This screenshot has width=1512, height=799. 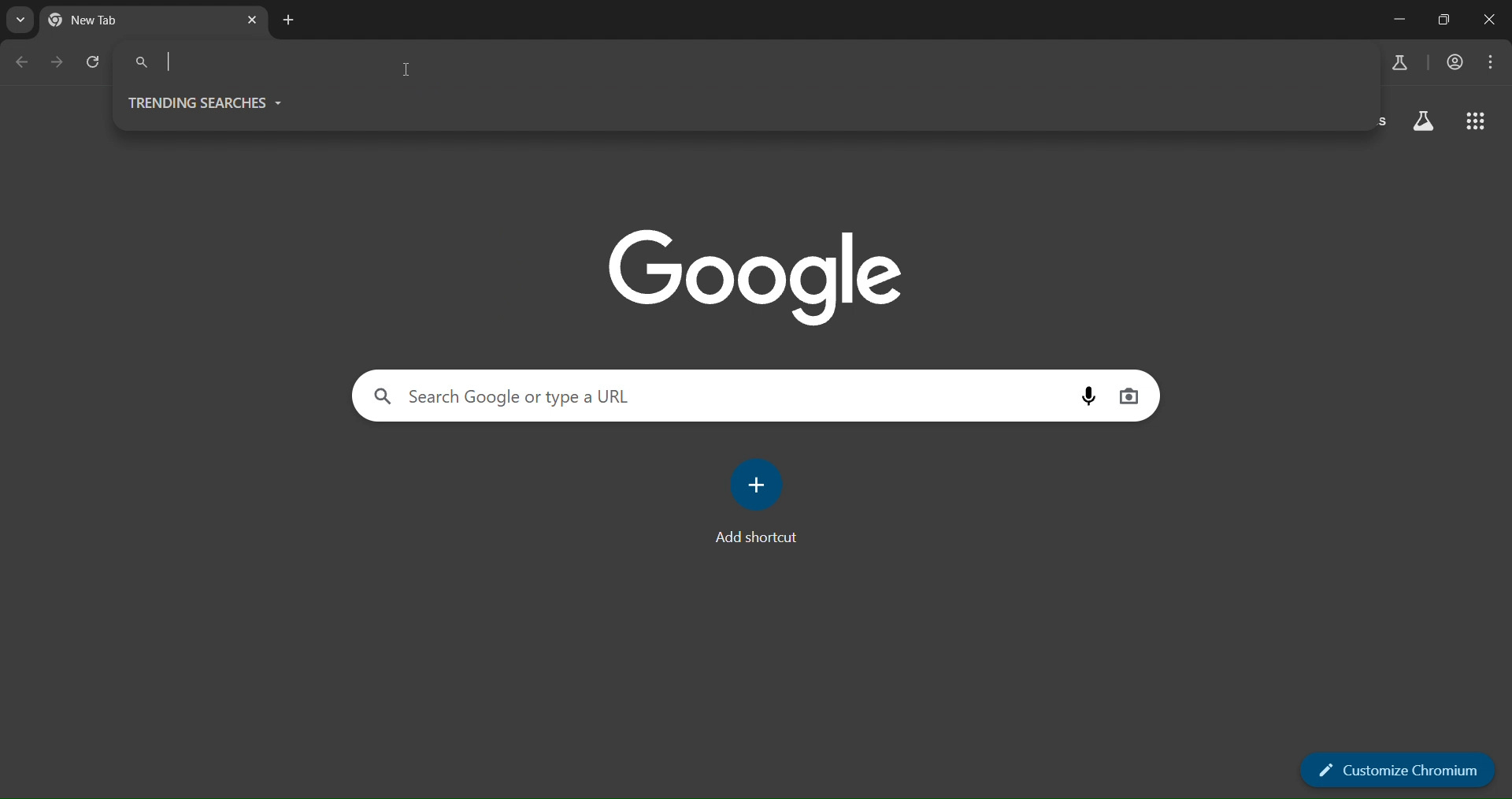 I want to click on go forward one page, so click(x=56, y=62).